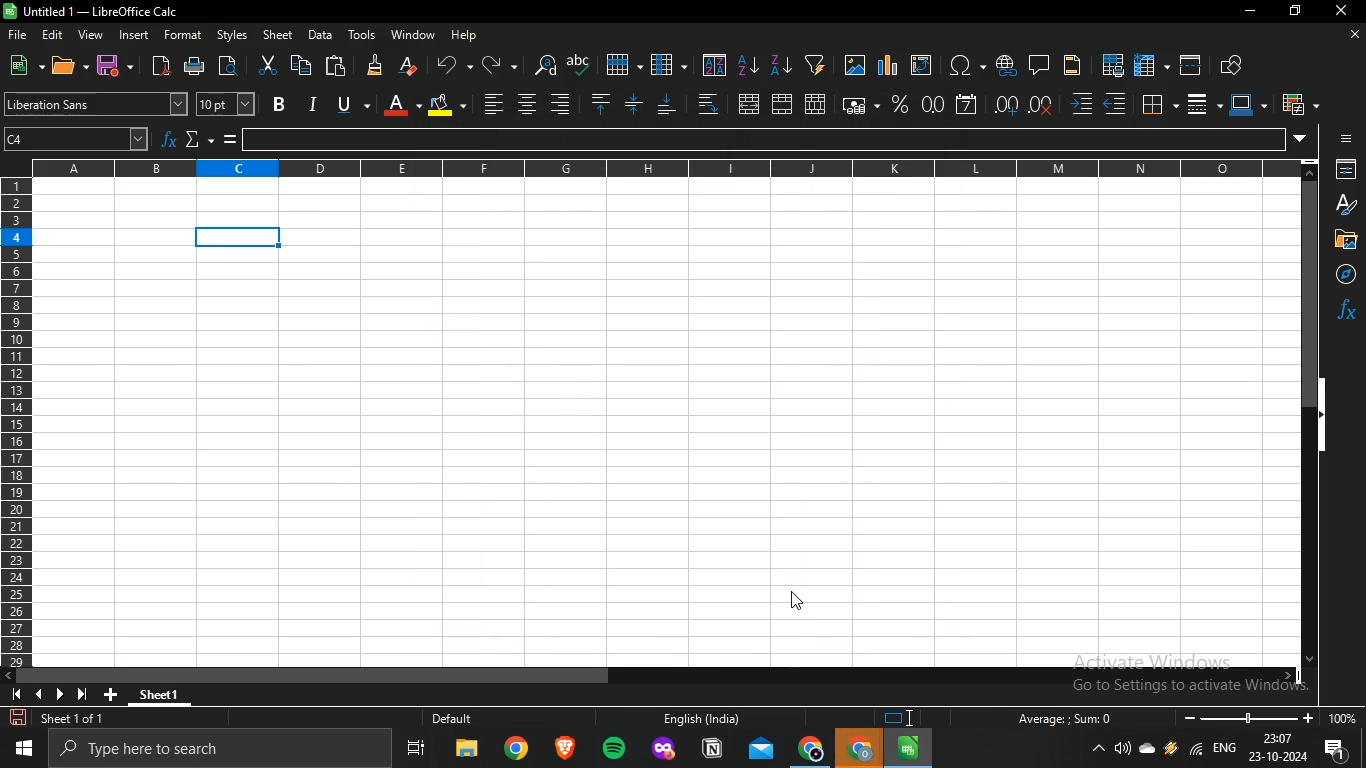  What do you see at coordinates (715, 65) in the screenshot?
I see `sort` at bounding box center [715, 65].